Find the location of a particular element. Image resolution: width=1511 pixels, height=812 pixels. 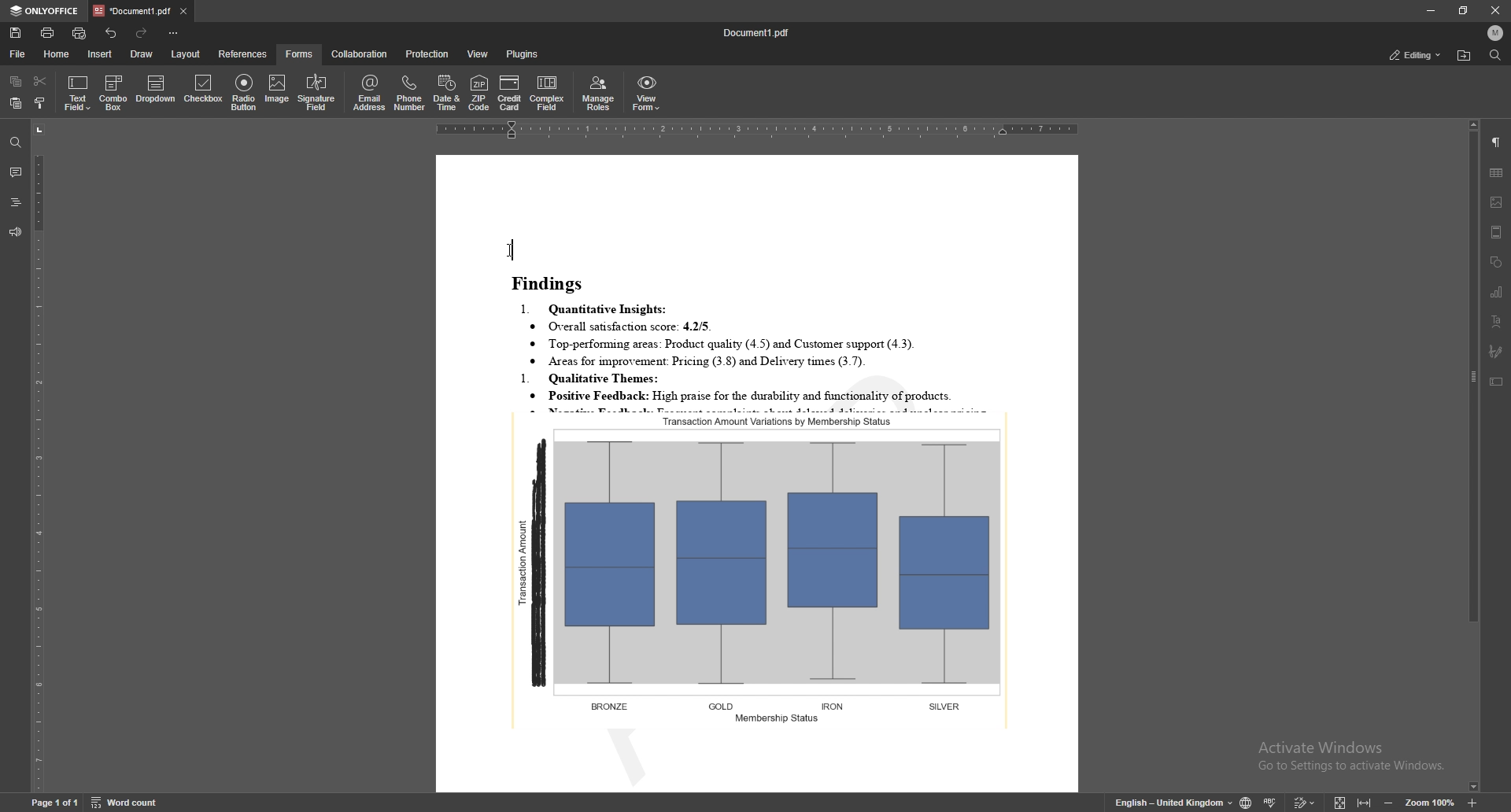

feedback is located at coordinates (13, 232).